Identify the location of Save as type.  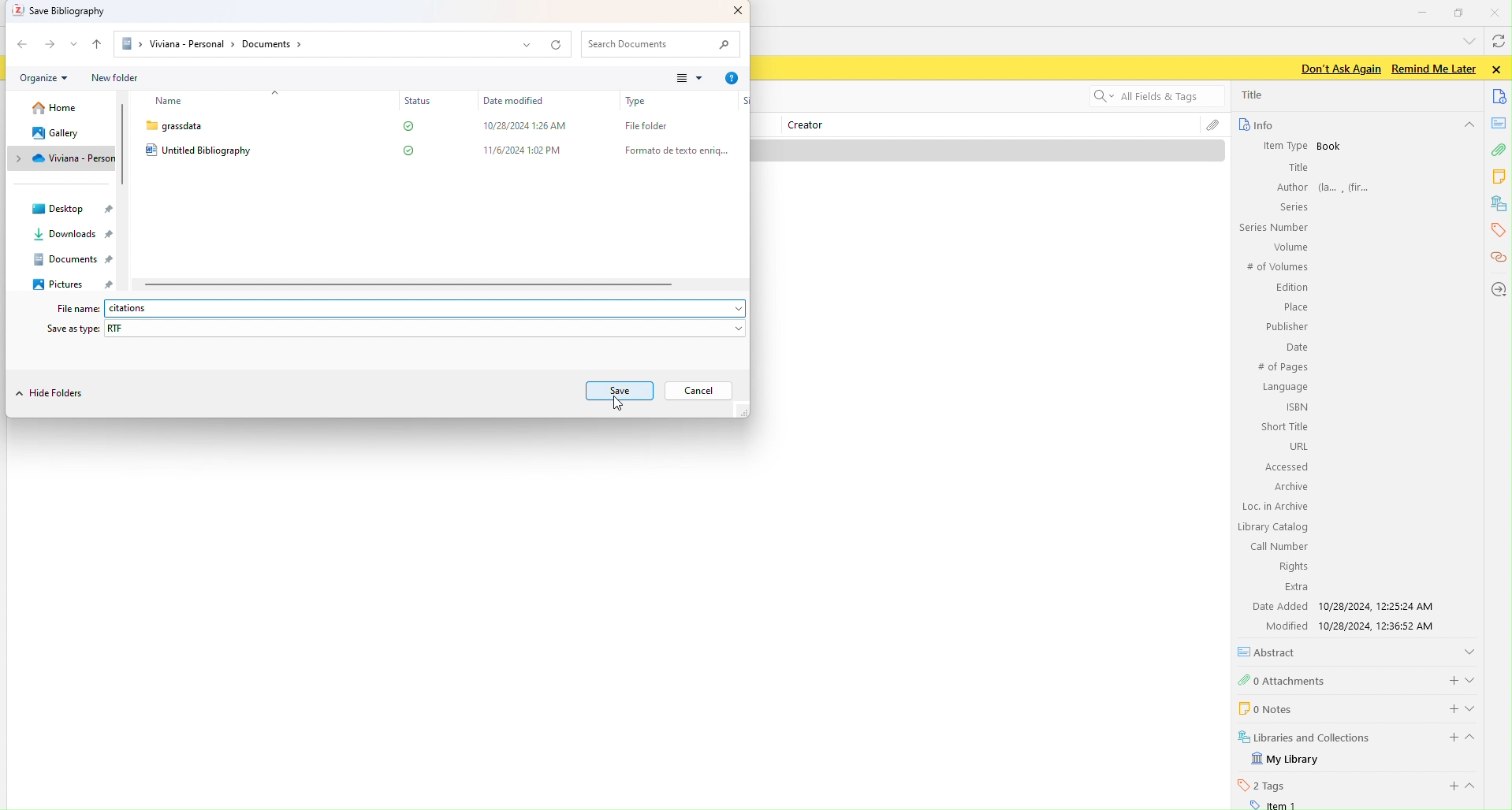
(71, 328).